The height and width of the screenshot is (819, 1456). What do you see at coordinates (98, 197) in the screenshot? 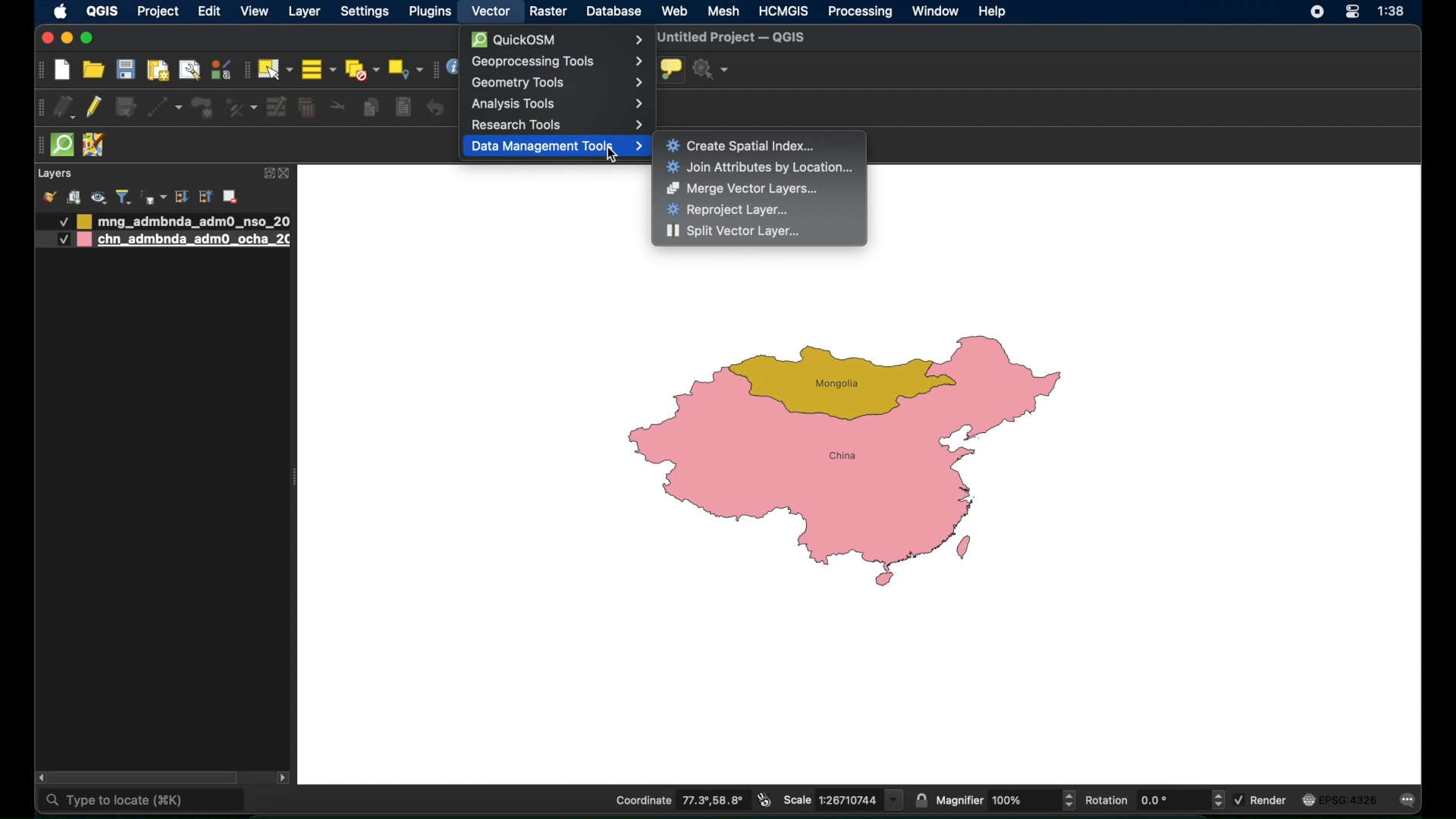
I see `manage map themes` at bounding box center [98, 197].